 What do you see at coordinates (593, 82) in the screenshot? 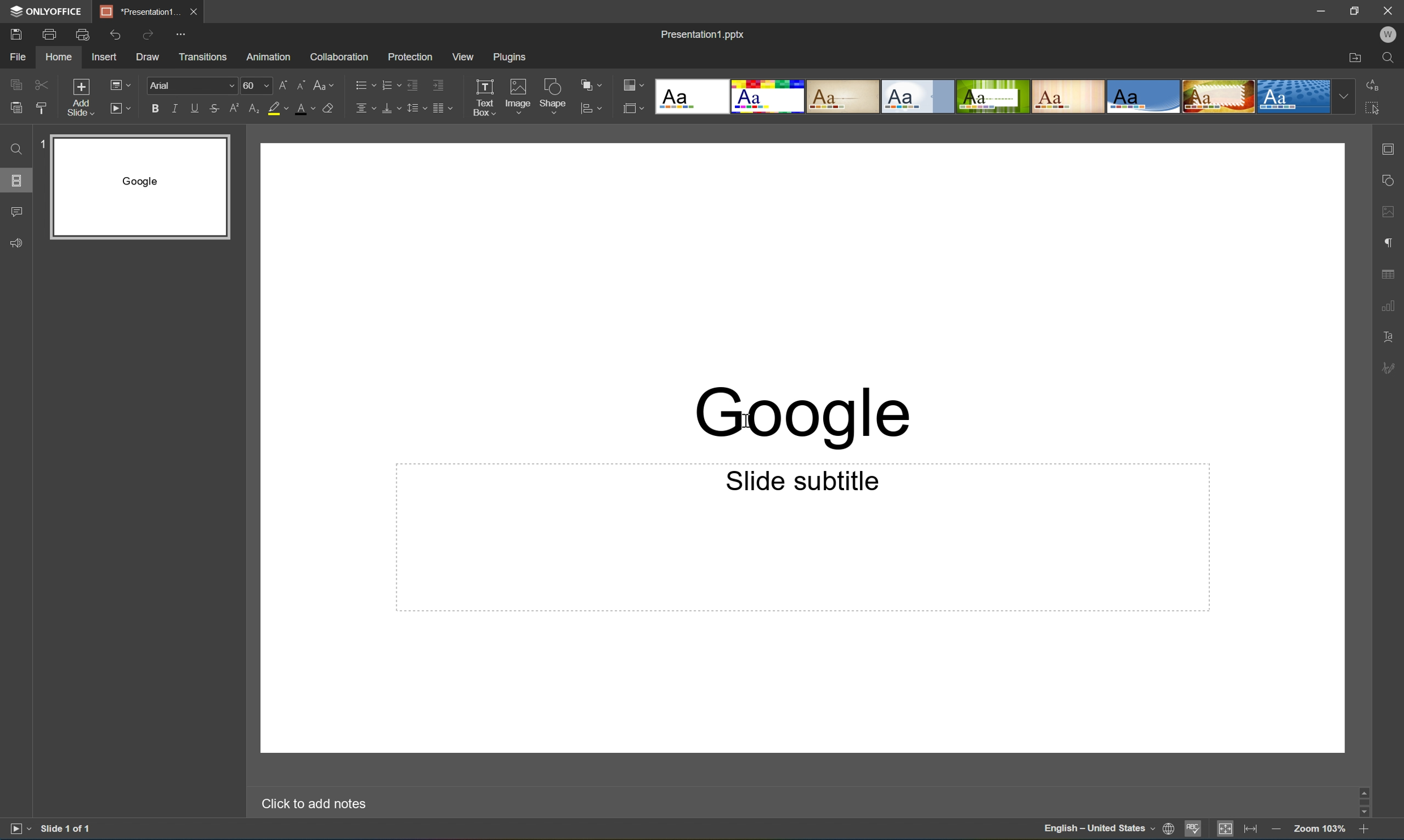
I see `Arrange shape` at bounding box center [593, 82].